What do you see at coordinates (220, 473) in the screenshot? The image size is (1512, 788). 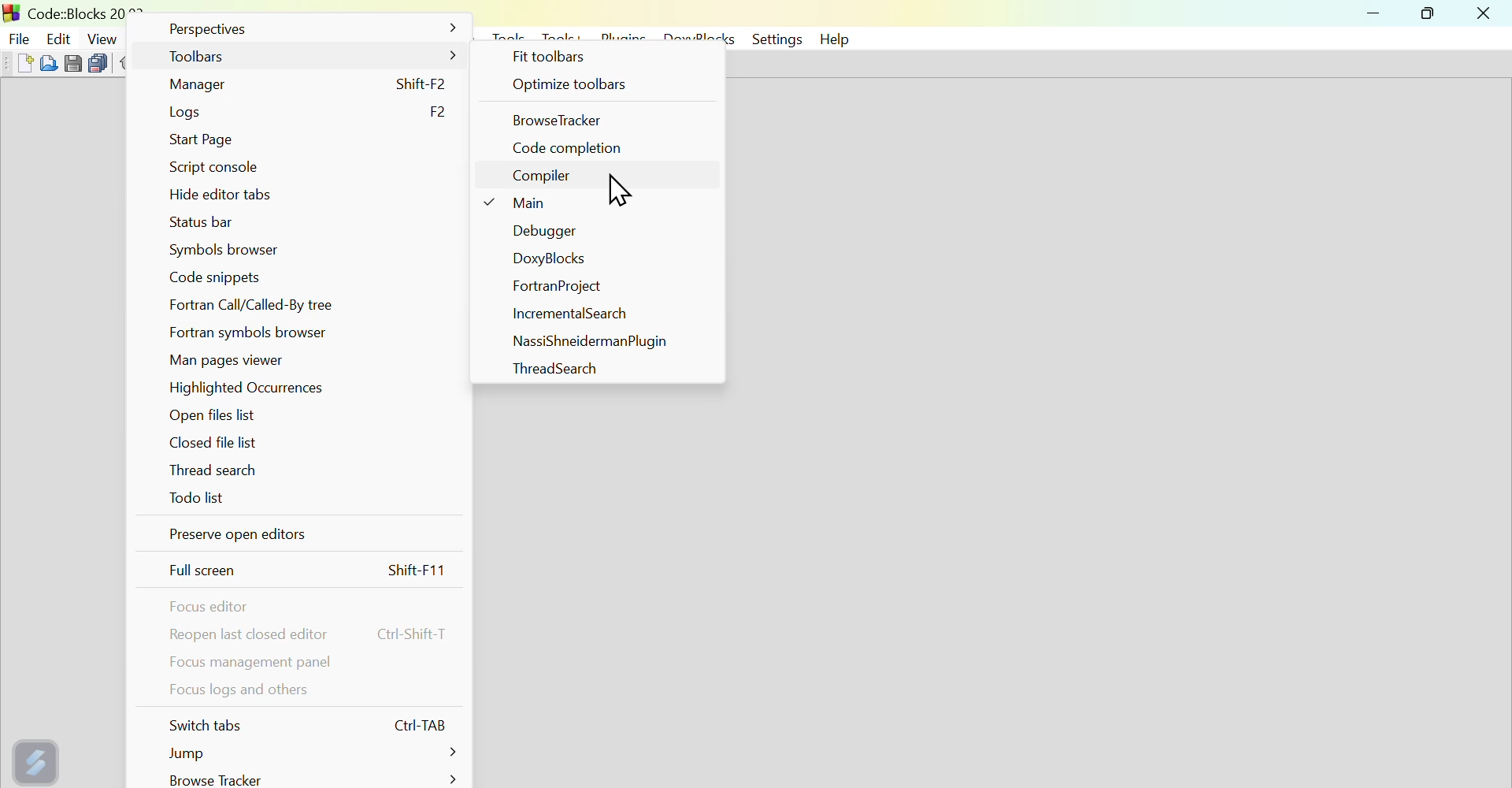 I see `Thread search` at bounding box center [220, 473].